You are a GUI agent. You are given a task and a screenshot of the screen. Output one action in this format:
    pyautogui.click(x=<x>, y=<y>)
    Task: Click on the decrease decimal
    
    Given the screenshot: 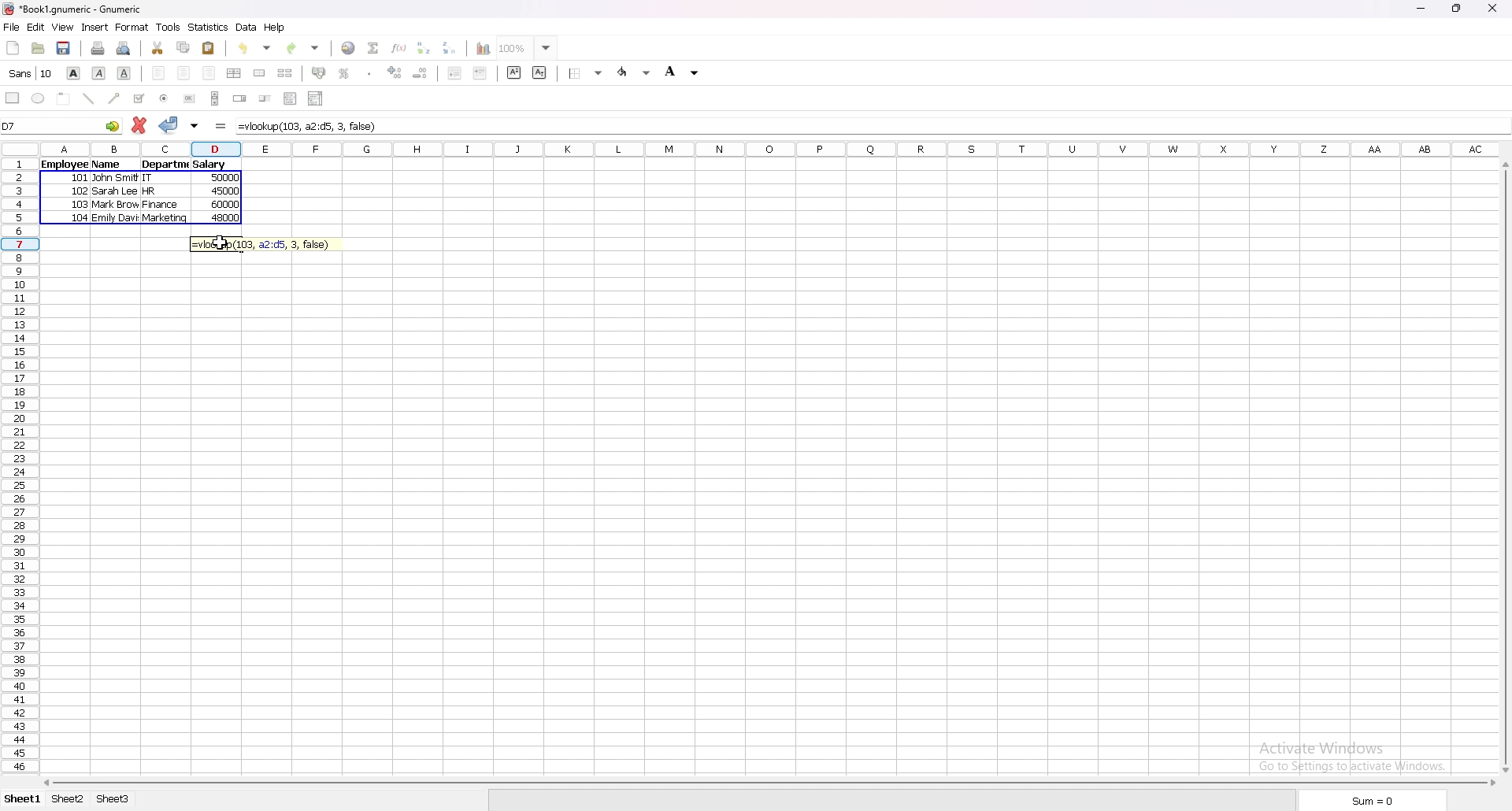 What is the action you would take?
    pyautogui.click(x=421, y=73)
    